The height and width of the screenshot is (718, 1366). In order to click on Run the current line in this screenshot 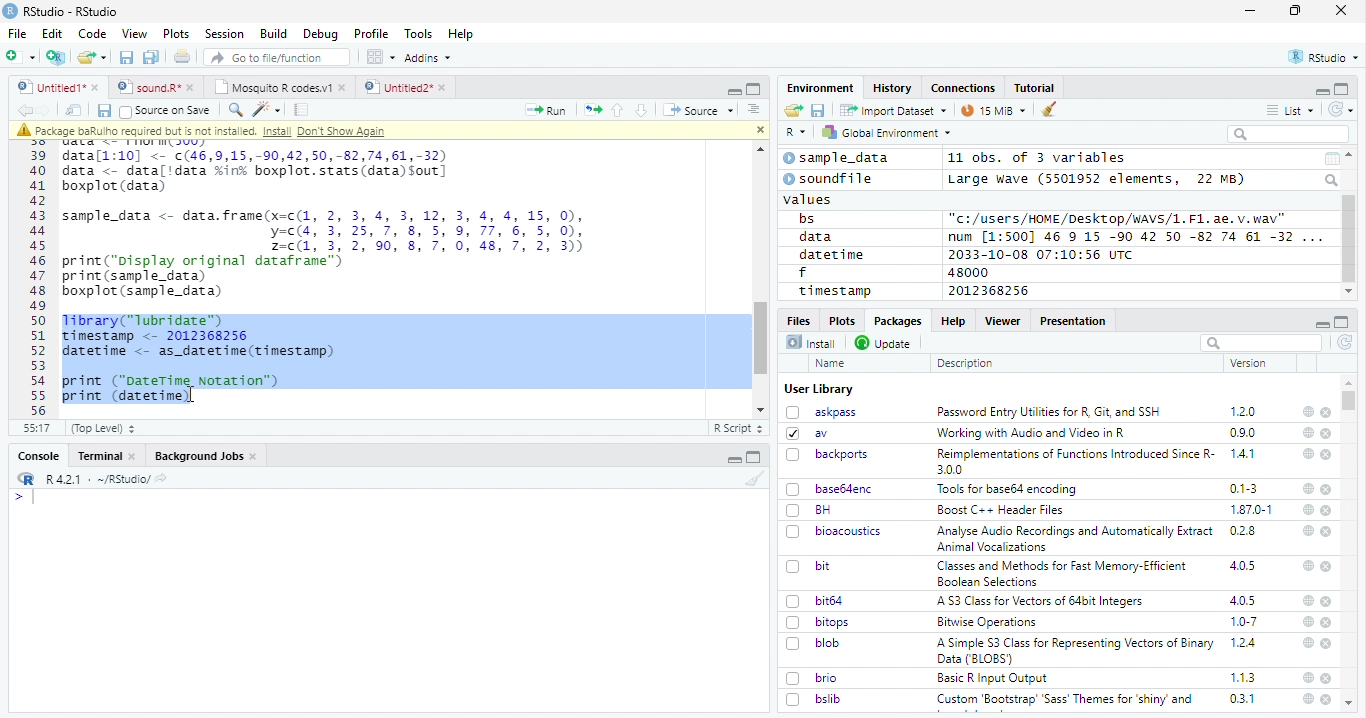, I will do `click(546, 110)`.